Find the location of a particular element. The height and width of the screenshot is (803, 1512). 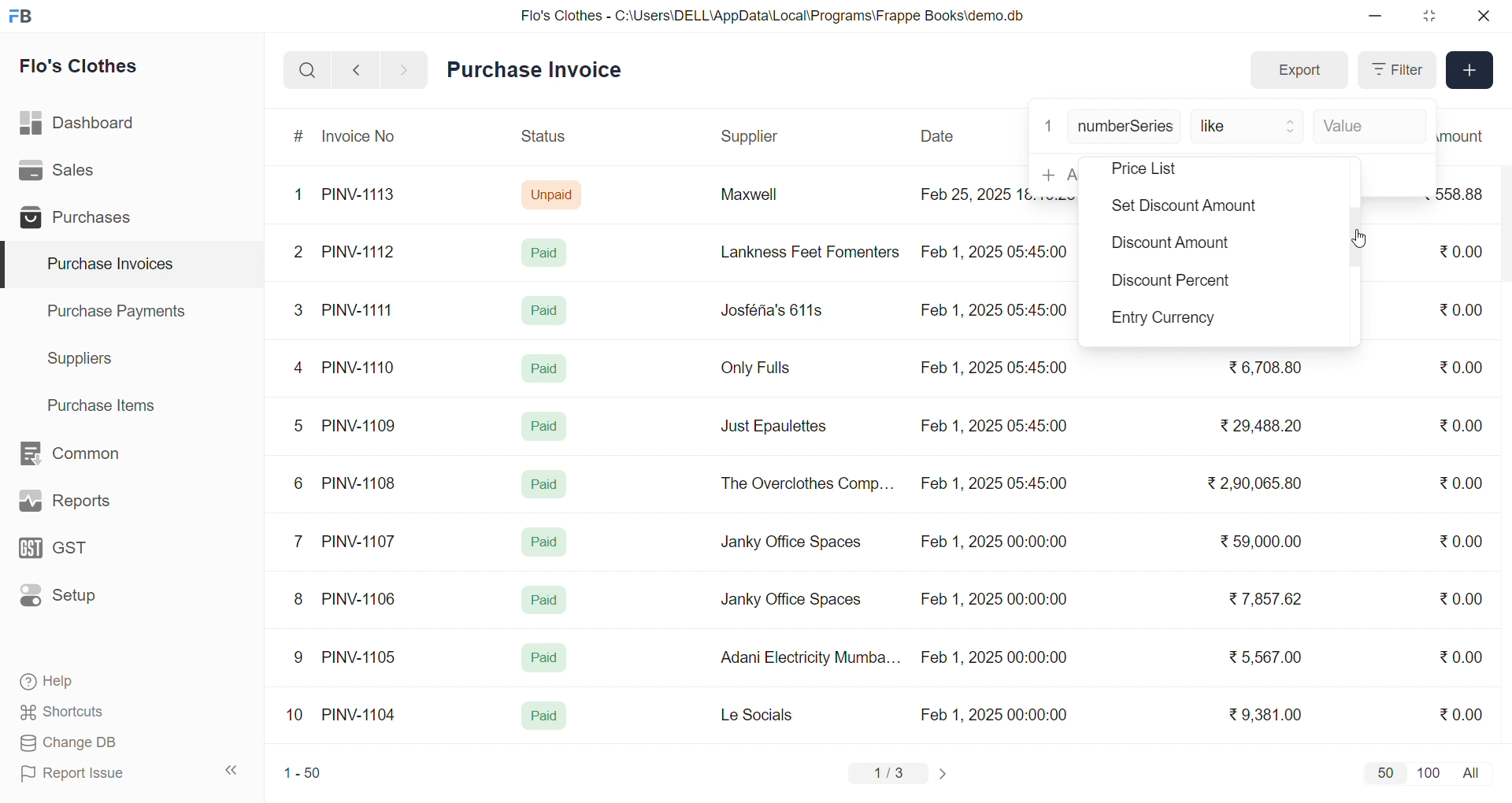

The Overclothes Comp... is located at coordinates (805, 483).